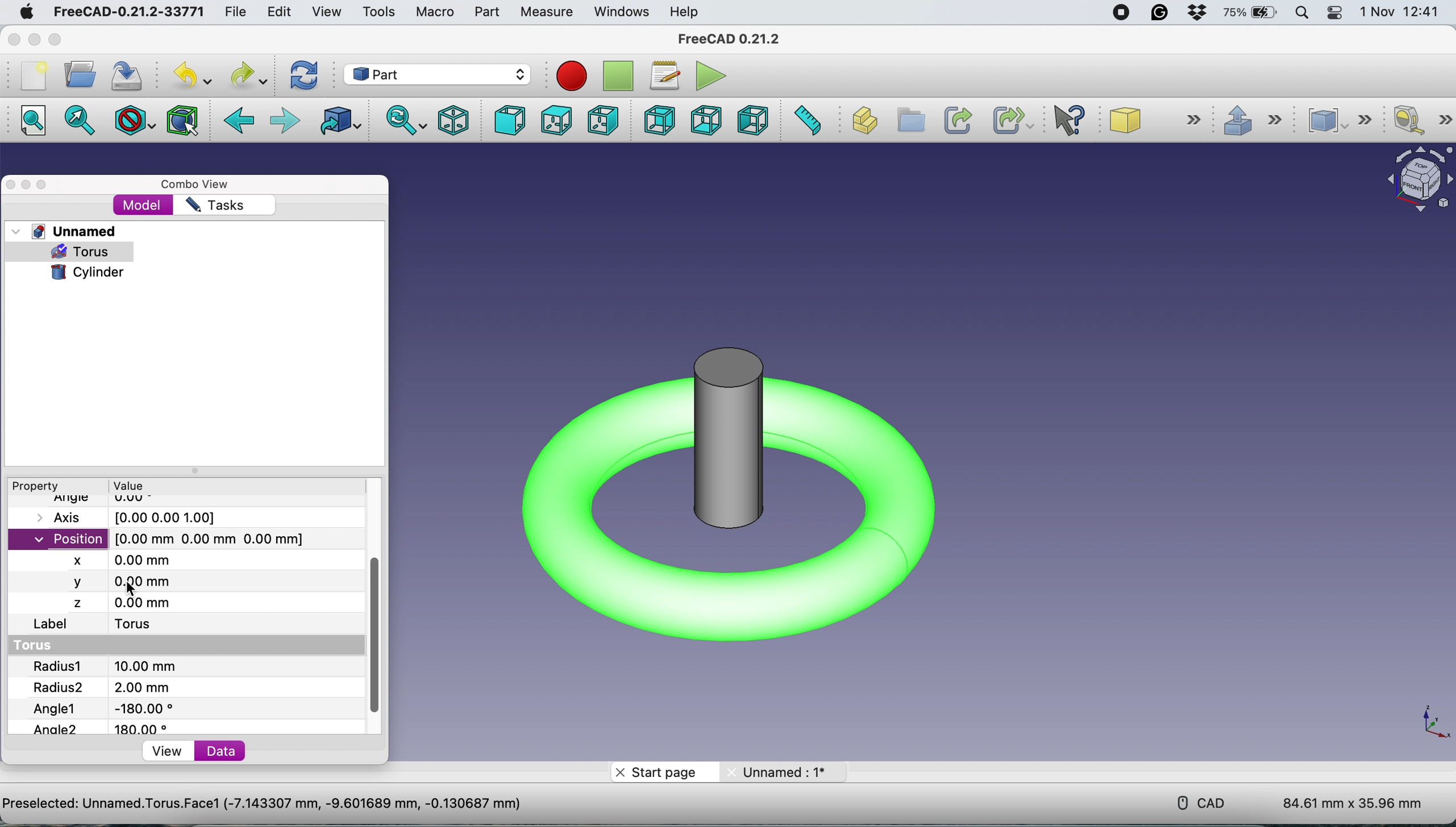 This screenshot has width=1456, height=827. Describe the element at coordinates (729, 39) in the screenshot. I see `freecad` at that location.